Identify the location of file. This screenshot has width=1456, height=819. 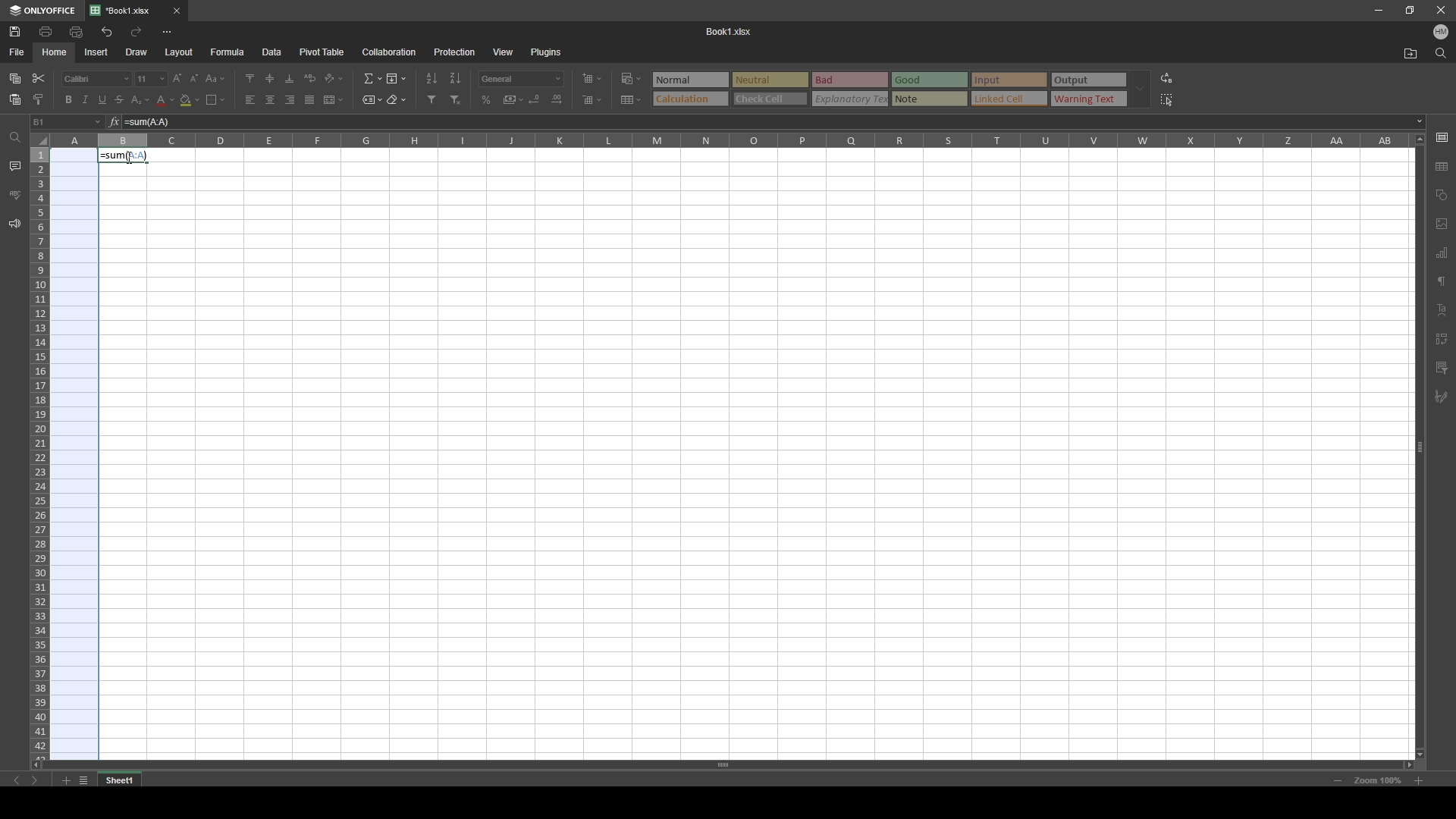
(18, 53).